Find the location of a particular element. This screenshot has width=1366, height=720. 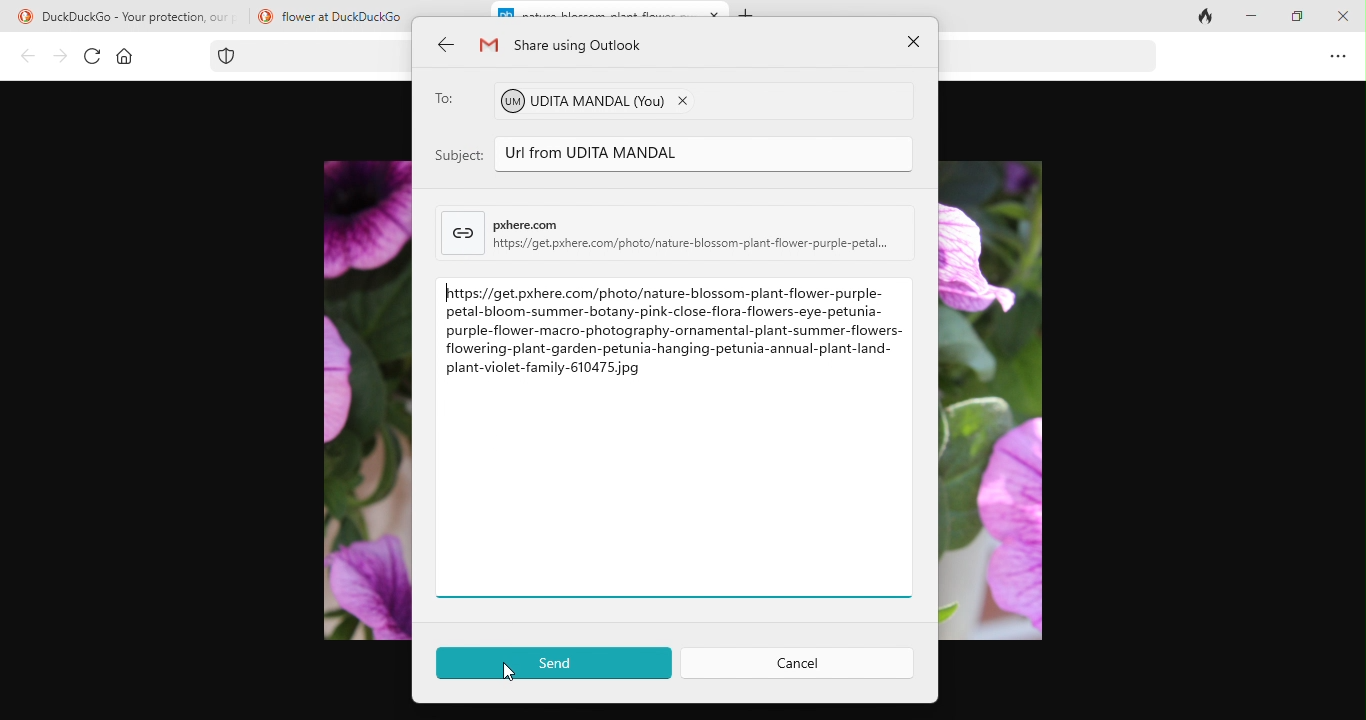

link  is located at coordinates (462, 232).